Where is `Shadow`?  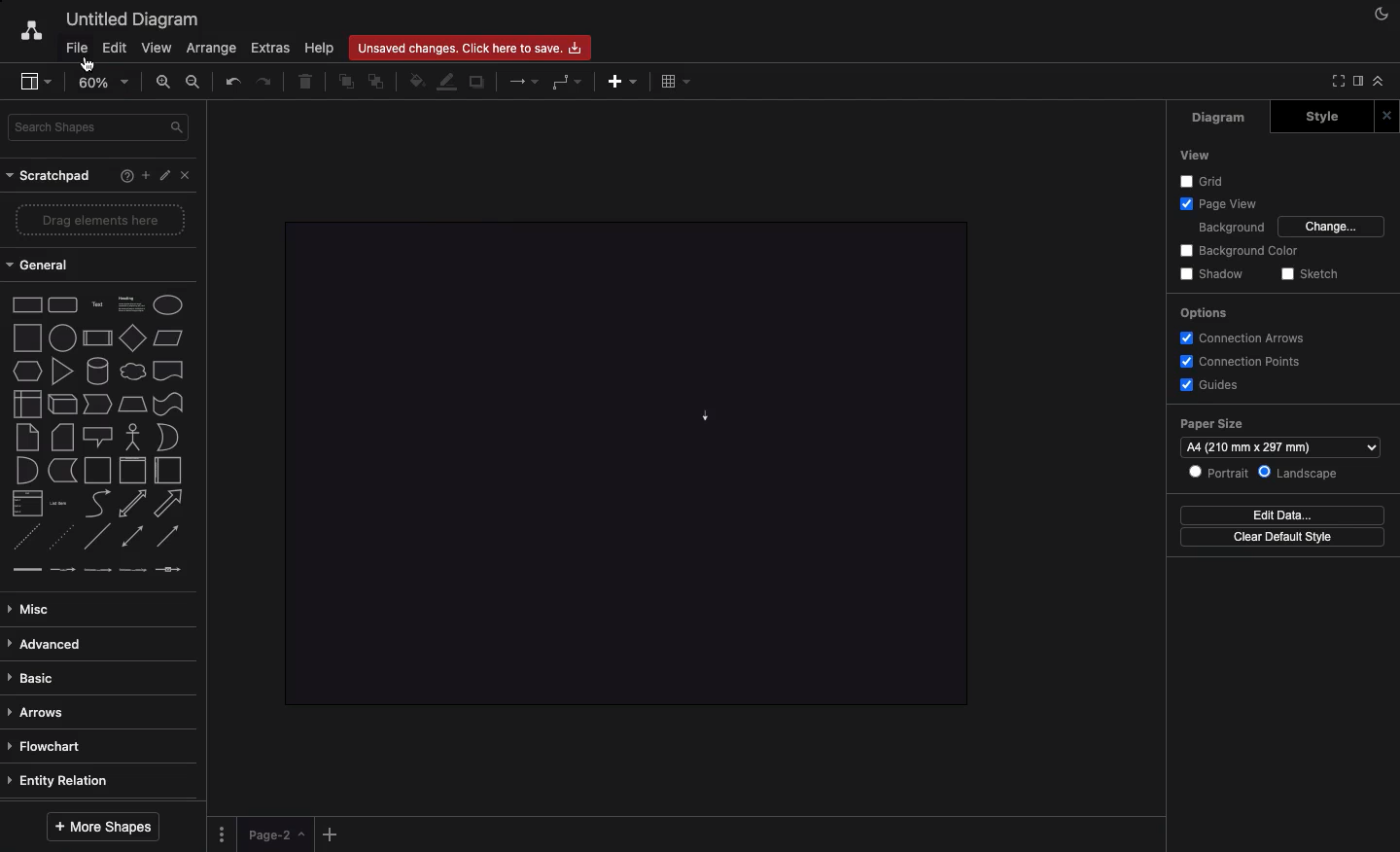
Shadow is located at coordinates (1211, 275).